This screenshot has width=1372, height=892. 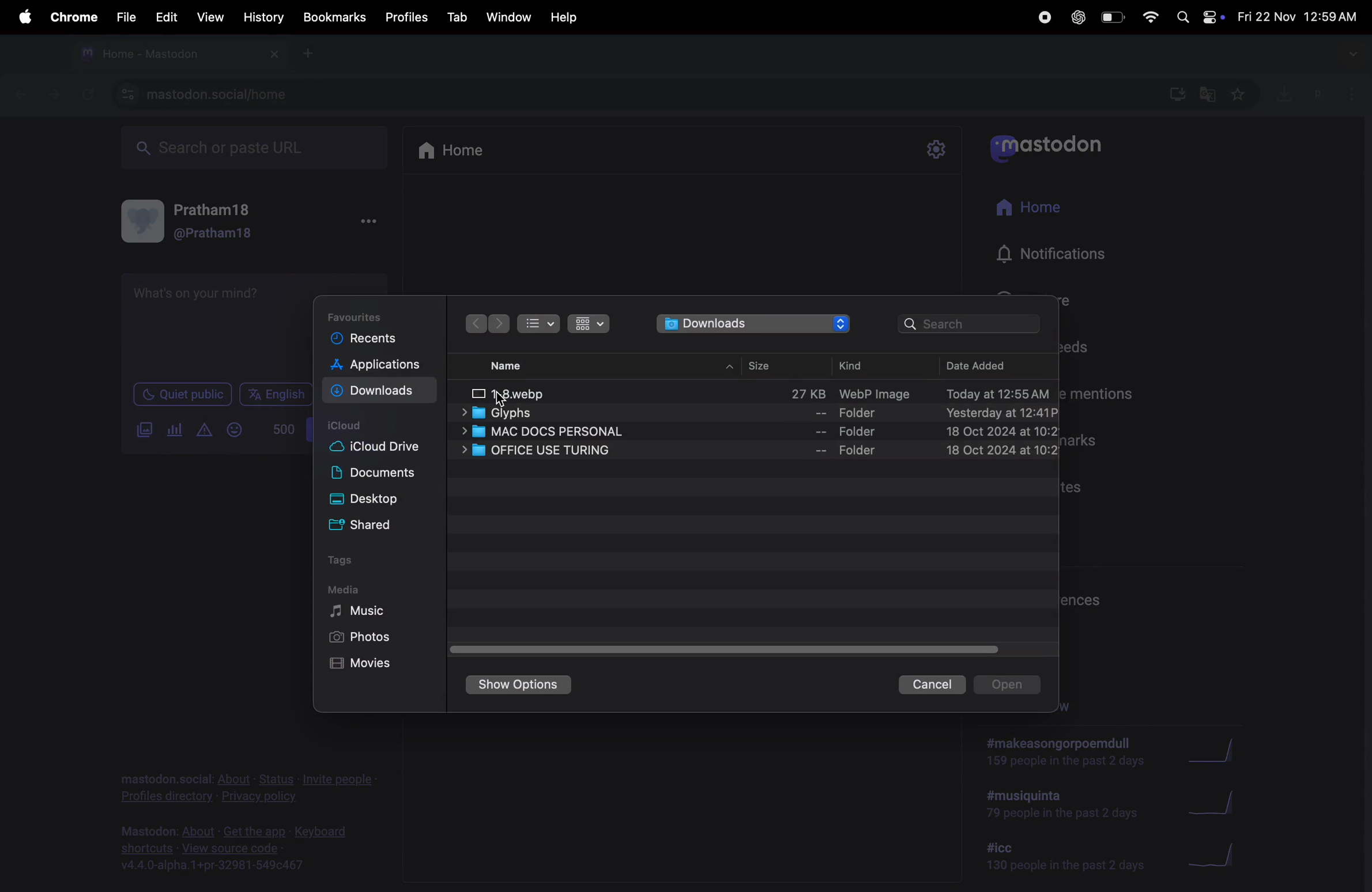 I want to click on downloads, so click(x=752, y=324).